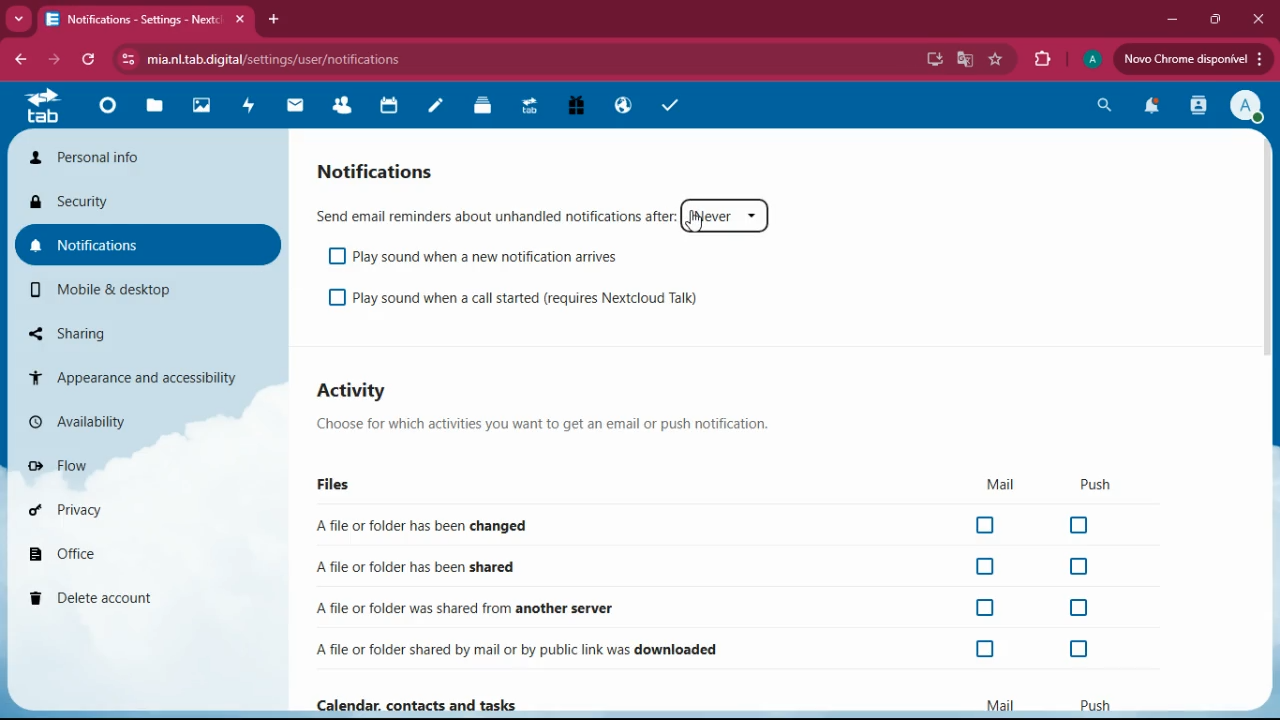  What do you see at coordinates (1214, 20) in the screenshot?
I see `maximize` at bounding box center [1214, 20].